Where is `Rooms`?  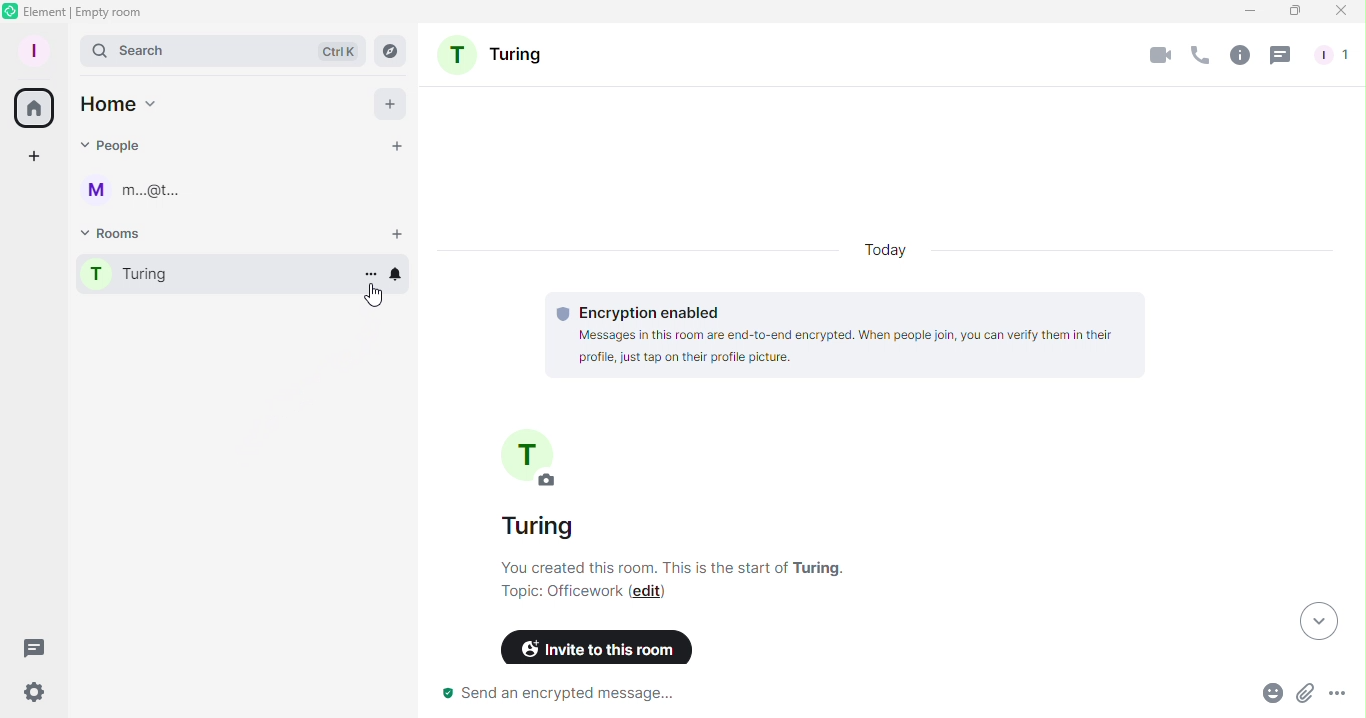
Rooms is located at coordinates (119, 232).